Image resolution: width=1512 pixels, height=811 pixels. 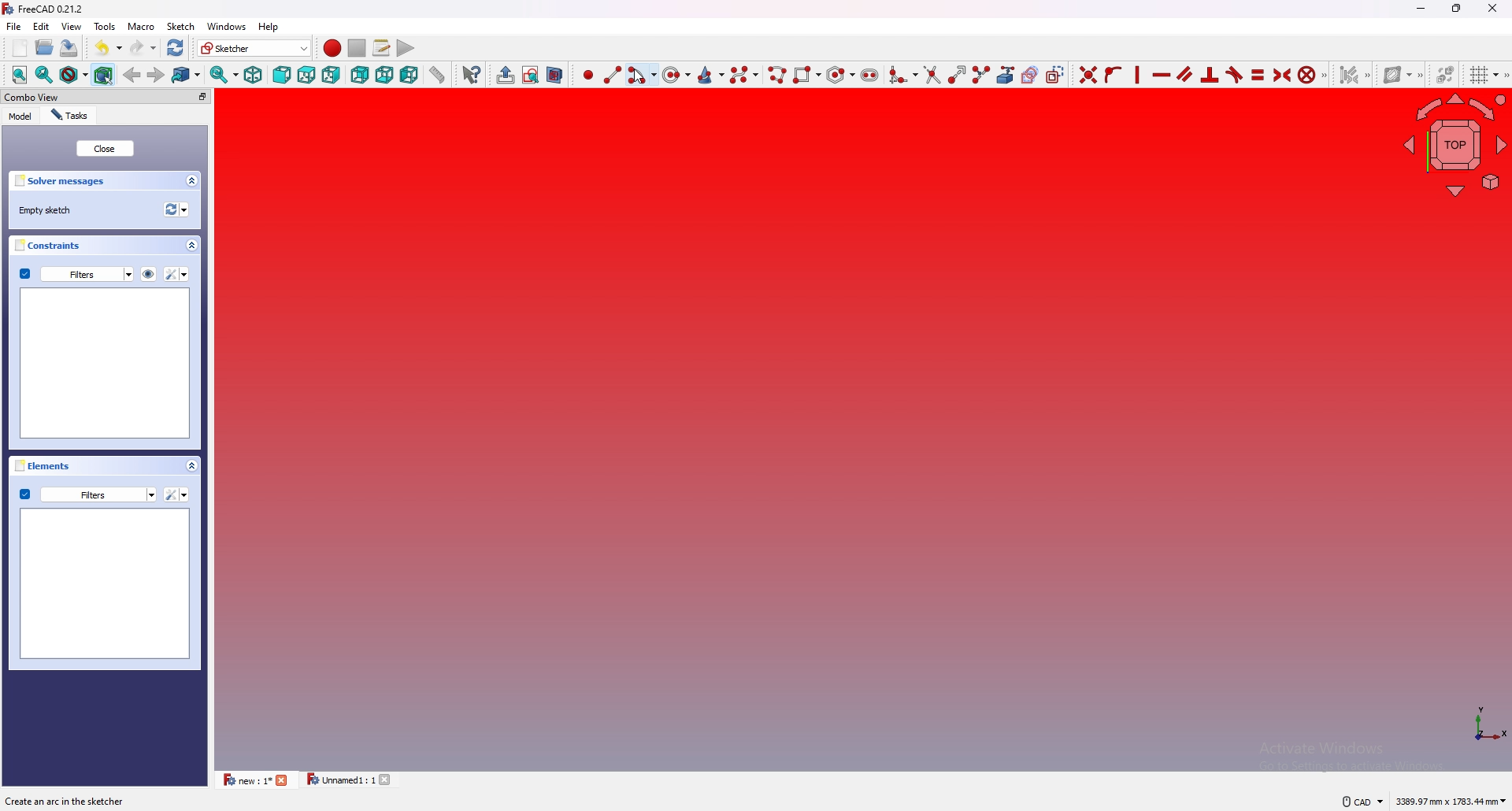 I want to click on settings, so click(x=178, y=274).